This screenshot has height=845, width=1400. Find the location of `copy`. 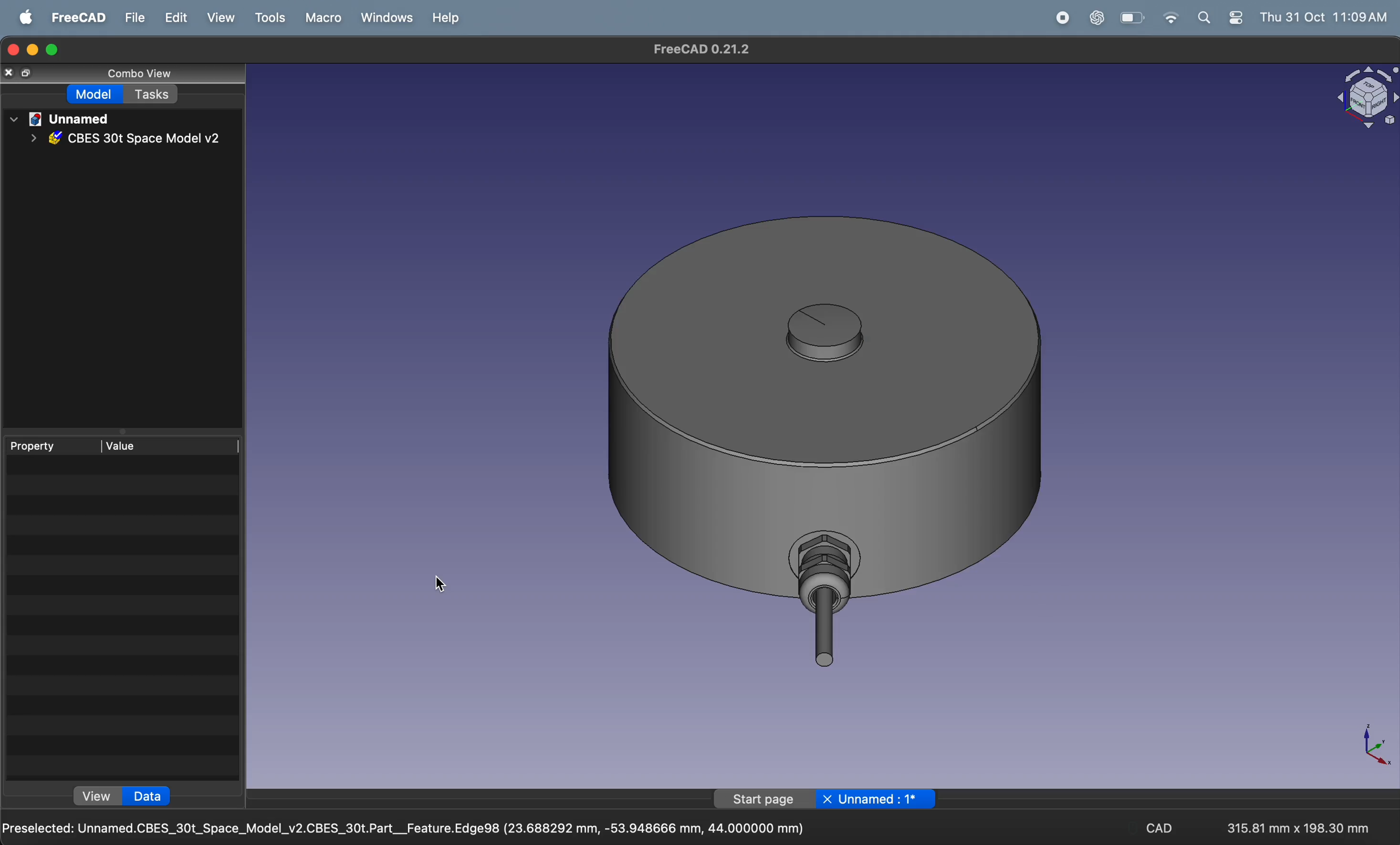

copy is located at coordinates (29, 74).